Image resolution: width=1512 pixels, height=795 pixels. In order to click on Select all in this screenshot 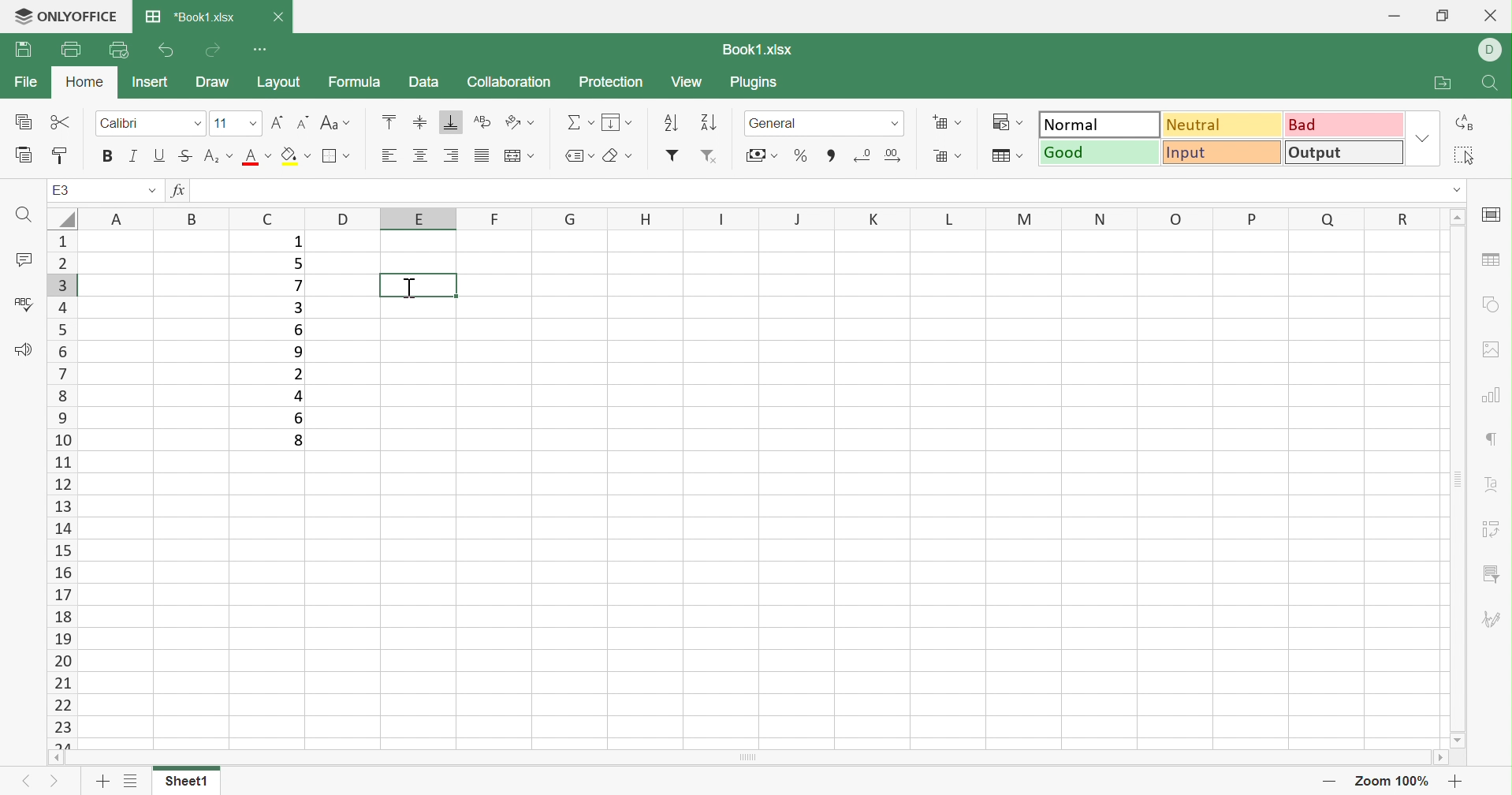, I will do `click(1465, 158)`.